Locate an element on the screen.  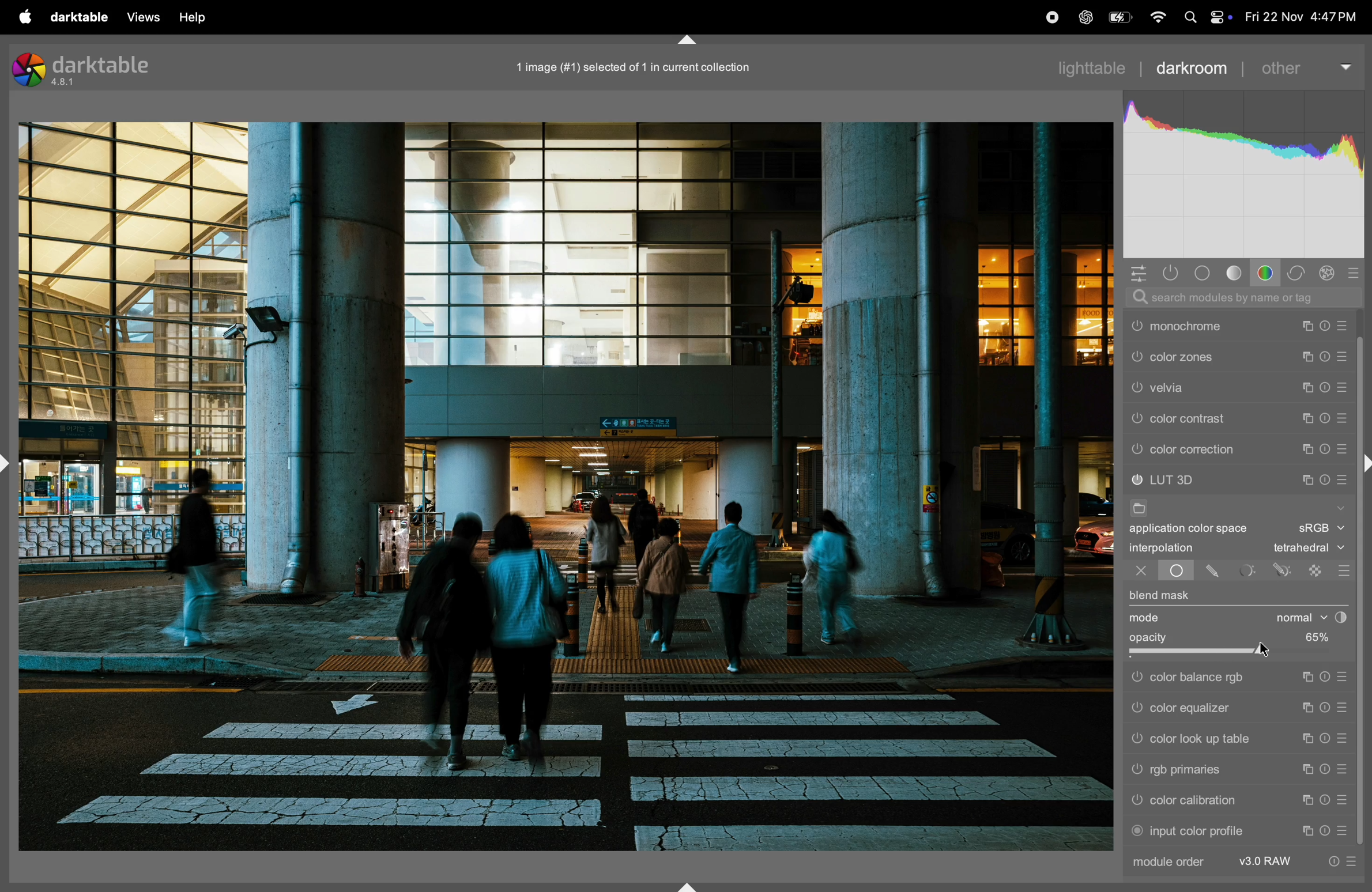
multiple instance actions is located at coordinates (1305, 738).